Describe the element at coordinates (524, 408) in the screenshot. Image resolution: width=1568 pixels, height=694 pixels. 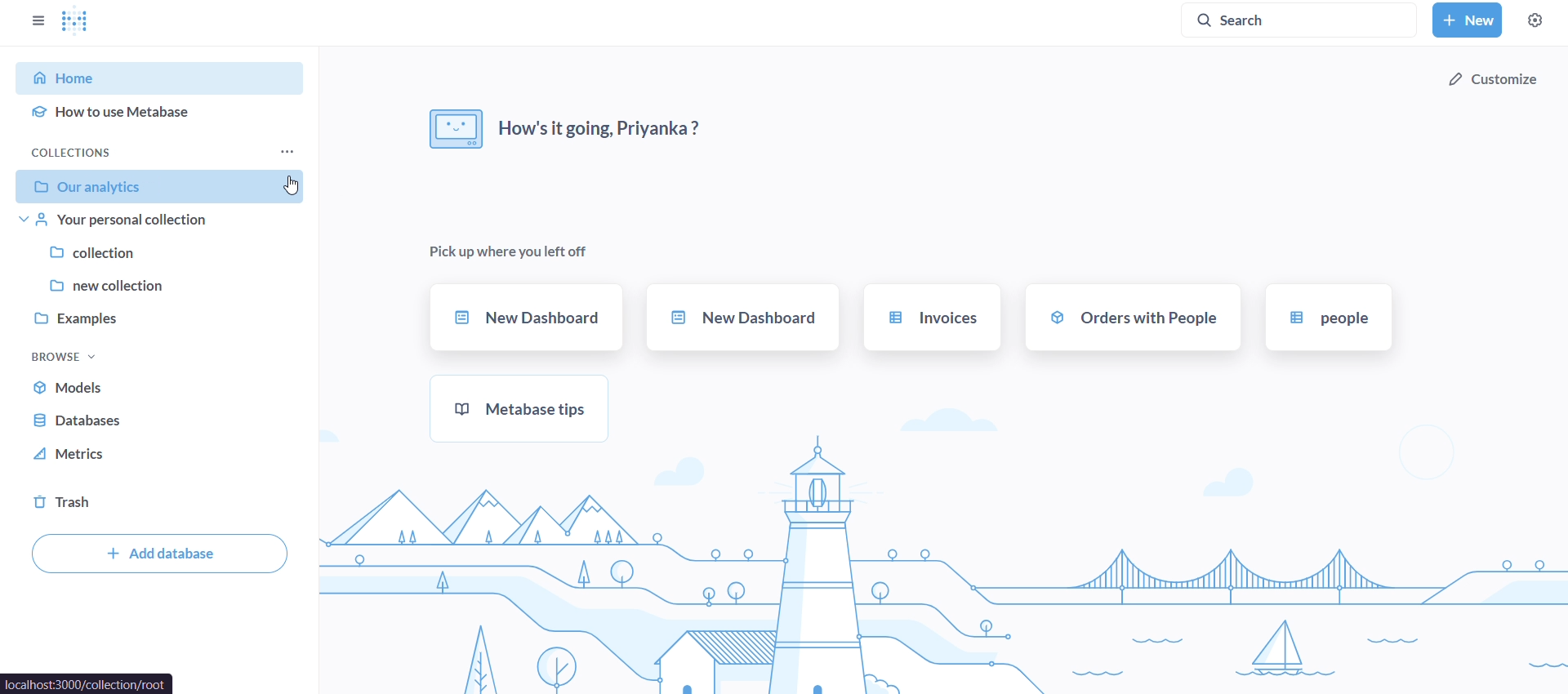
I see `metabase tips` at that location.